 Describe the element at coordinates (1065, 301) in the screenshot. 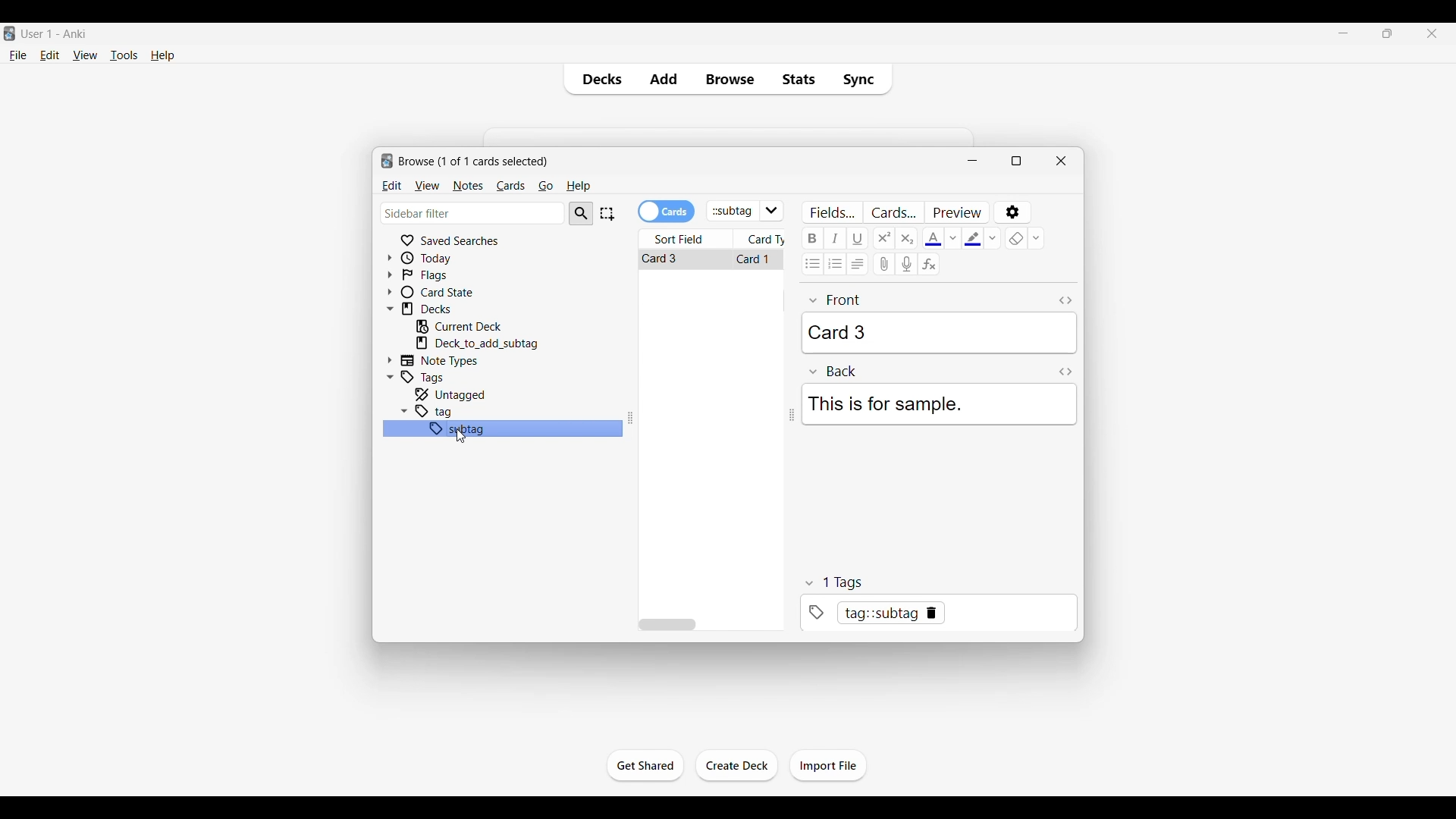

I see `Toggle HTML editor` at that location.